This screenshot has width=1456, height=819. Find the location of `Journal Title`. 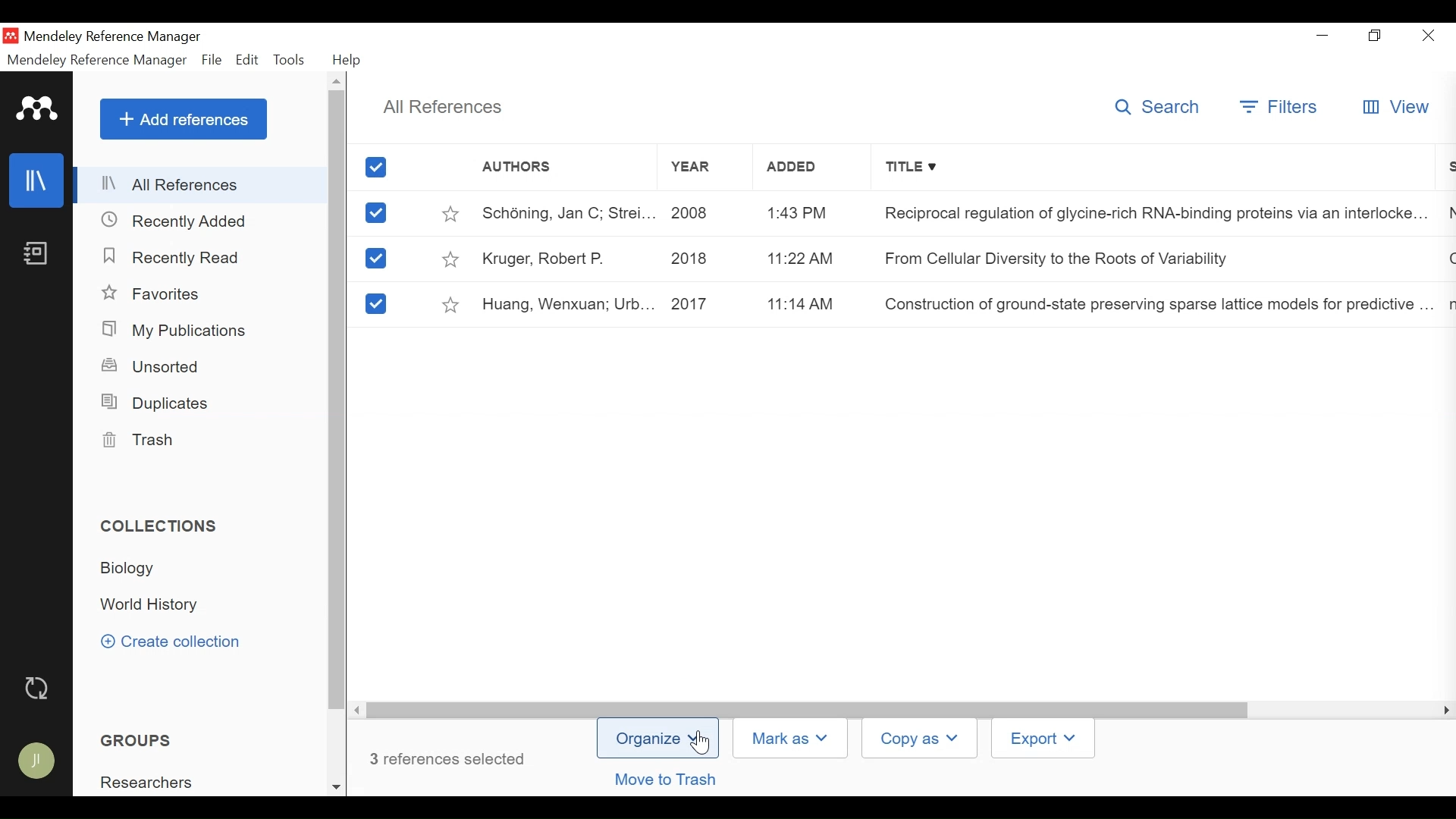

Journal Title is located at coordinates (1150, 304).